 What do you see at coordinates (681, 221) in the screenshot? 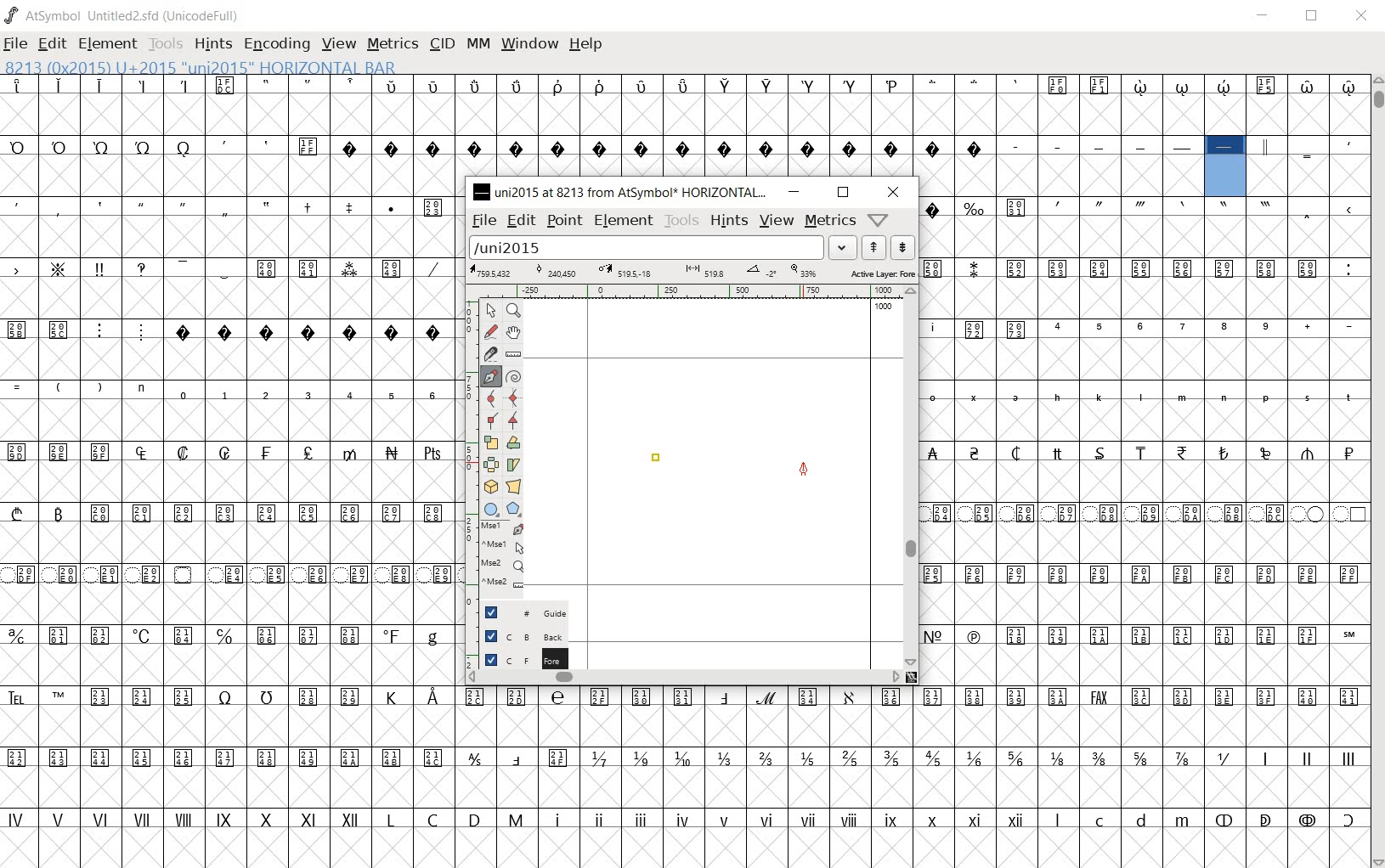
I see `tools` at bounding box center [681, 221].